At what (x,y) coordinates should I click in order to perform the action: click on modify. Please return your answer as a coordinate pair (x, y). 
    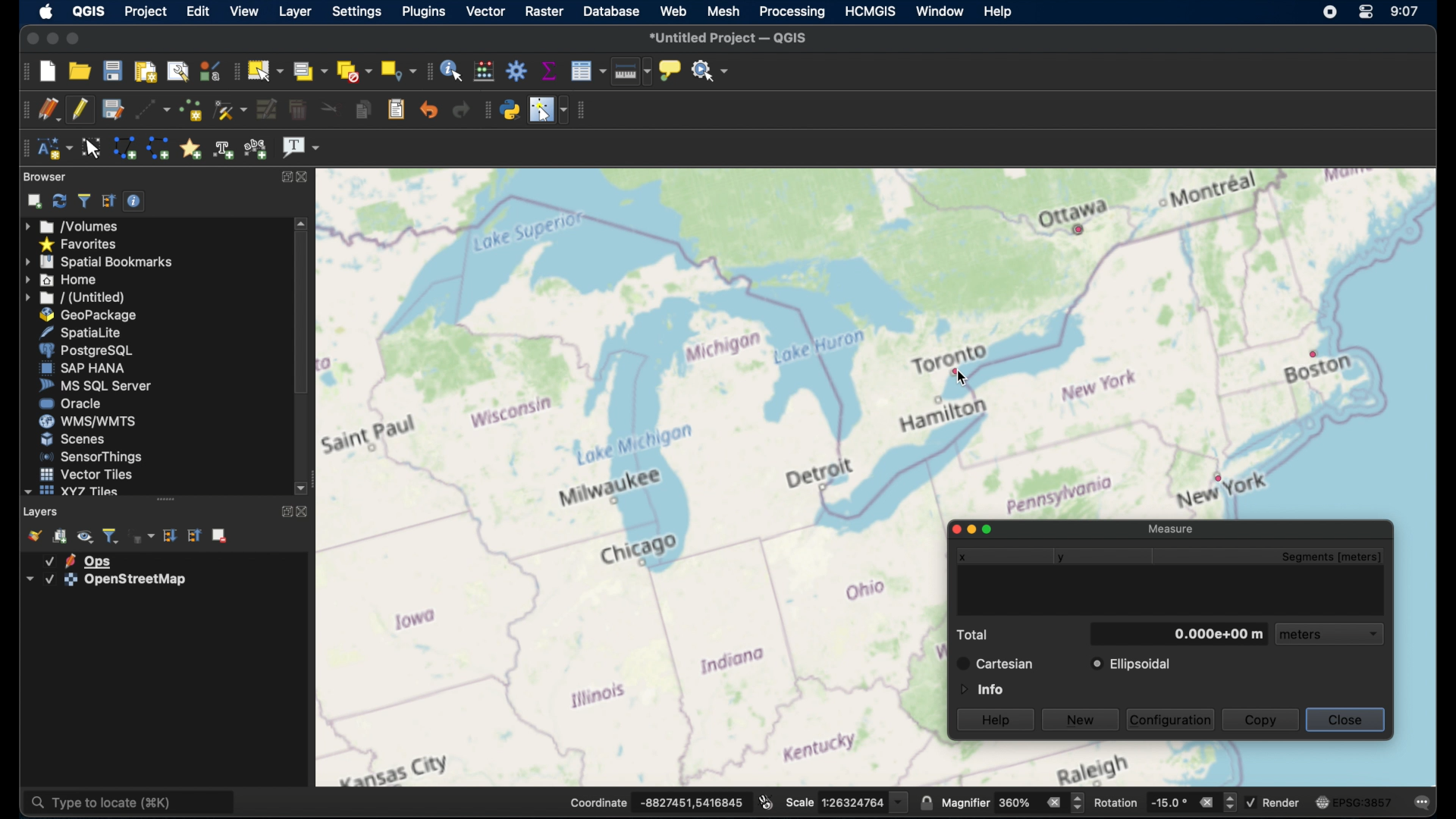
    Looking at the image, I should click on (265, 108).